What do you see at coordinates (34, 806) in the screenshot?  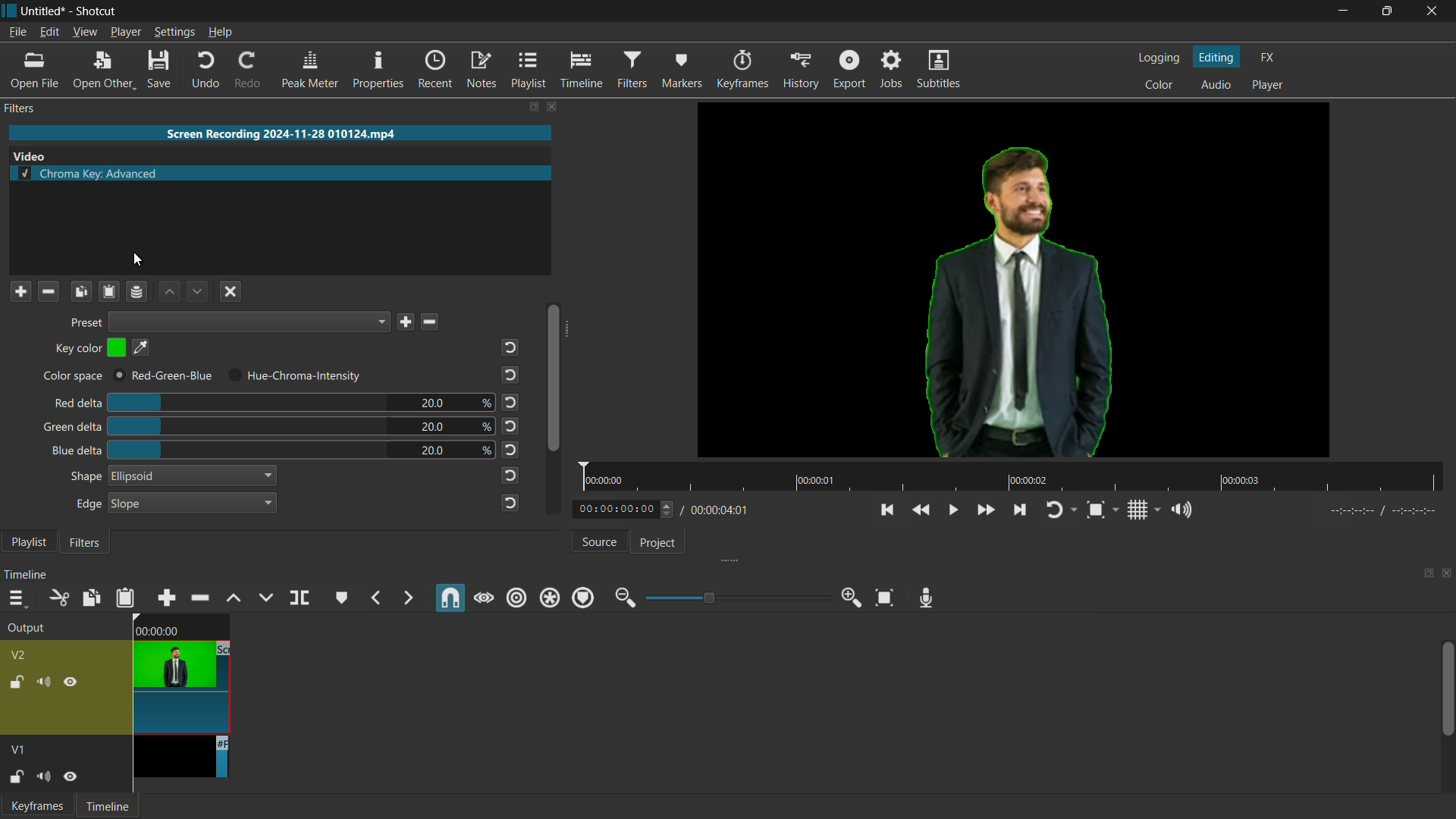 I see `keyframe` at bounding box center [34, 806].